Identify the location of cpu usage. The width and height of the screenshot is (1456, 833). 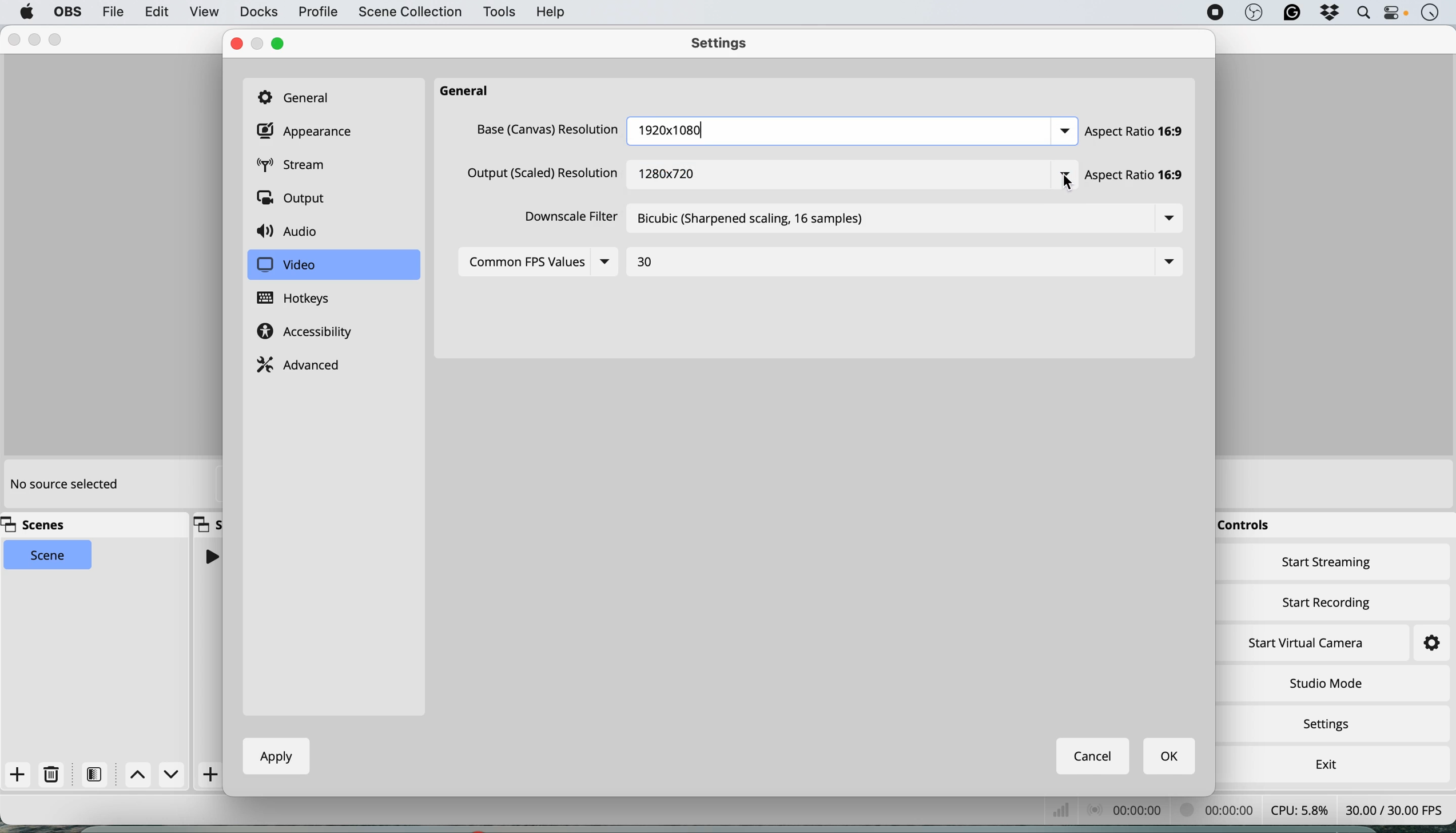
(1298, 809).